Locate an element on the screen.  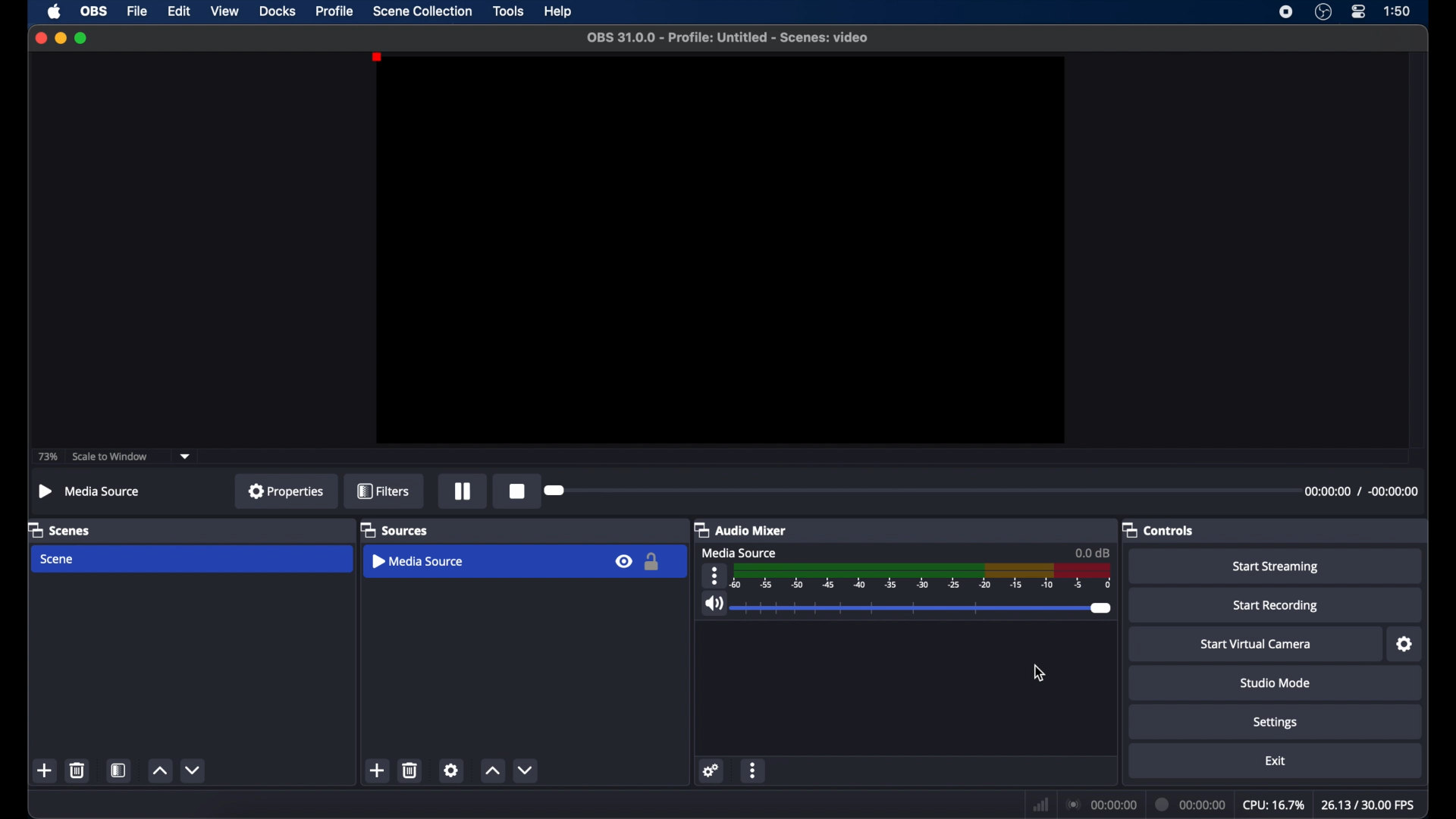
view is located at coordinates (224, 11).